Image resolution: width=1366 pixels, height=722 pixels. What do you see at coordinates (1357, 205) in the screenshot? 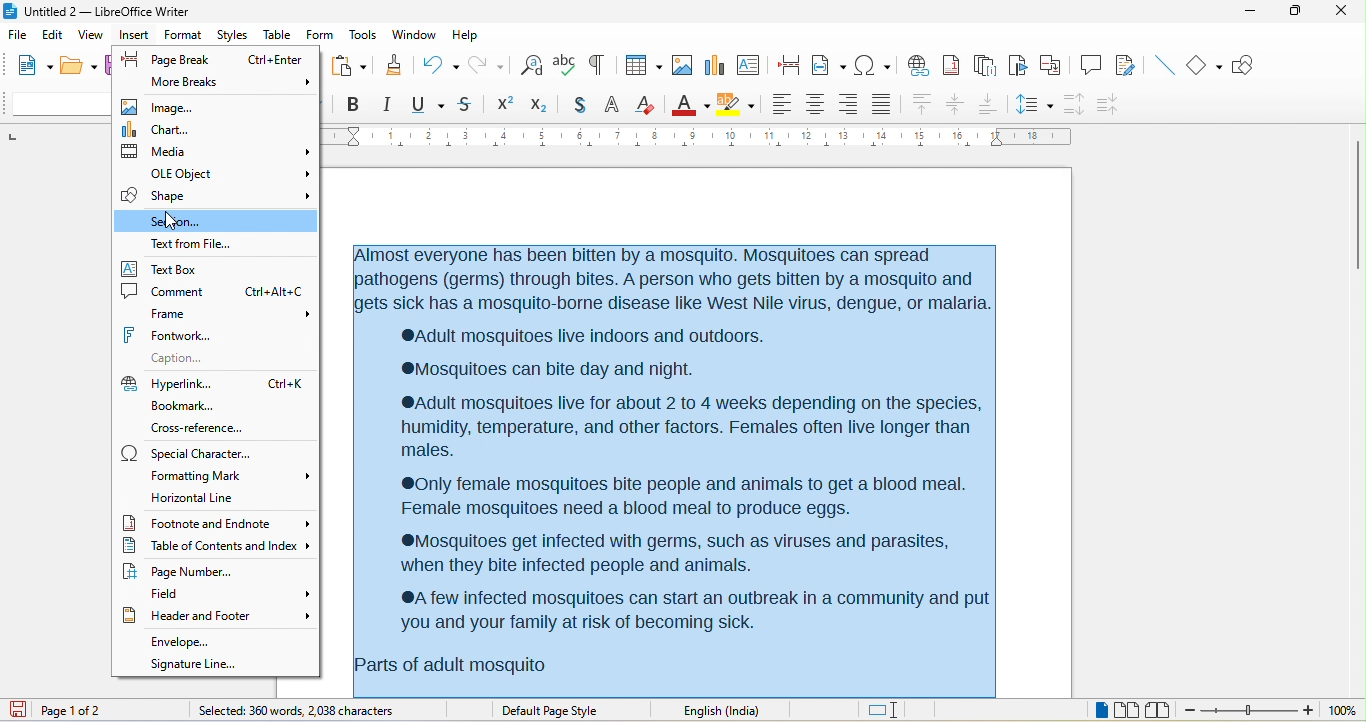
I see `vertical scroll bar` at bounding box center [1357, 205].